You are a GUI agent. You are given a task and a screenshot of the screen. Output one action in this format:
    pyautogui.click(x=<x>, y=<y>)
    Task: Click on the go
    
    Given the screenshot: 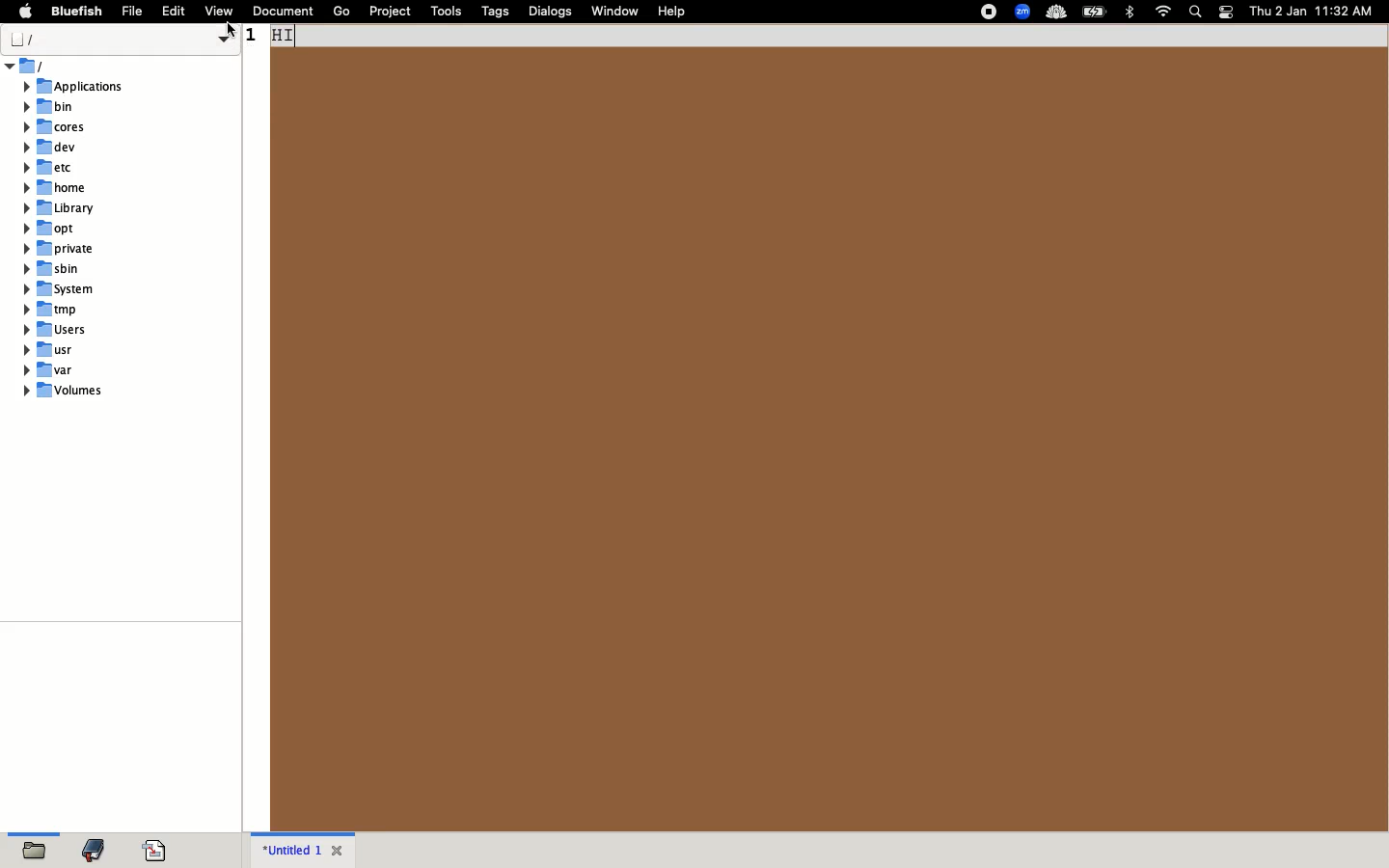 What is the action you would take?
    pyautogui.click(x=341, y=12)
    